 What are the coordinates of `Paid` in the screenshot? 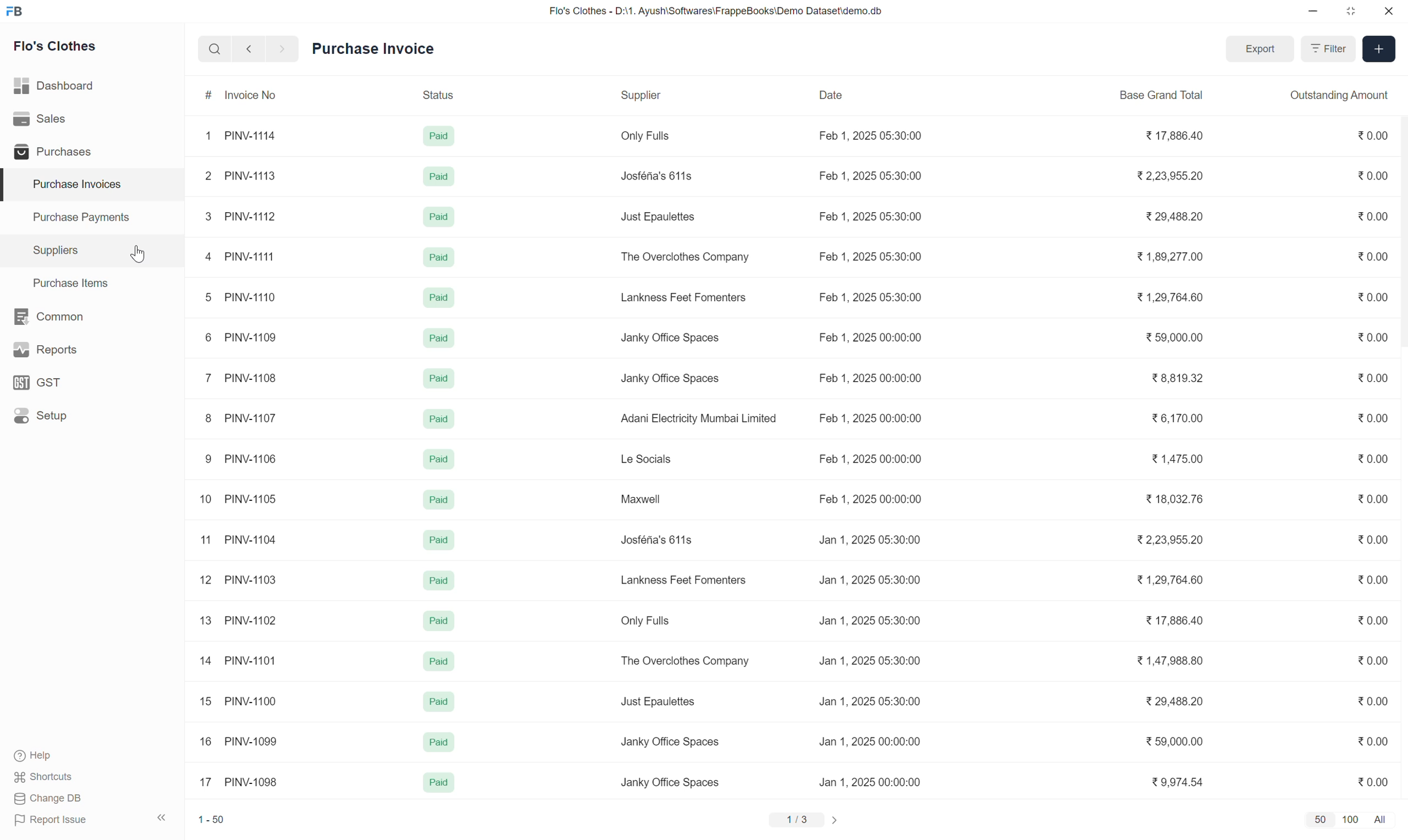 It's located at (440, 782).